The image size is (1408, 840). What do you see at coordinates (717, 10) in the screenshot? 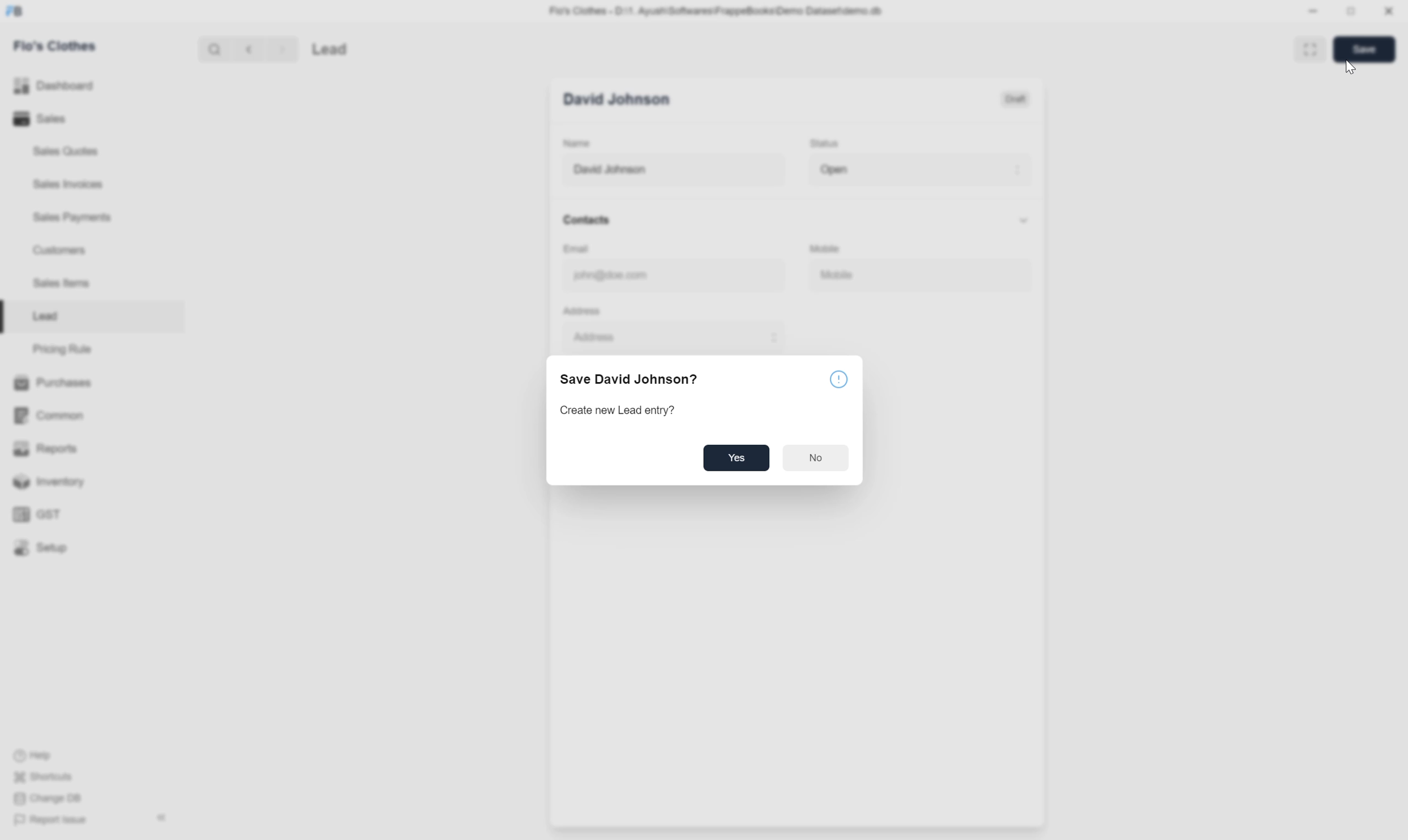
I see `Flo's Clothes - D:\1. Ayush\Softwares\FrappeBooks\Demo Dataset\demo.db` at bounding box center [717, 10].